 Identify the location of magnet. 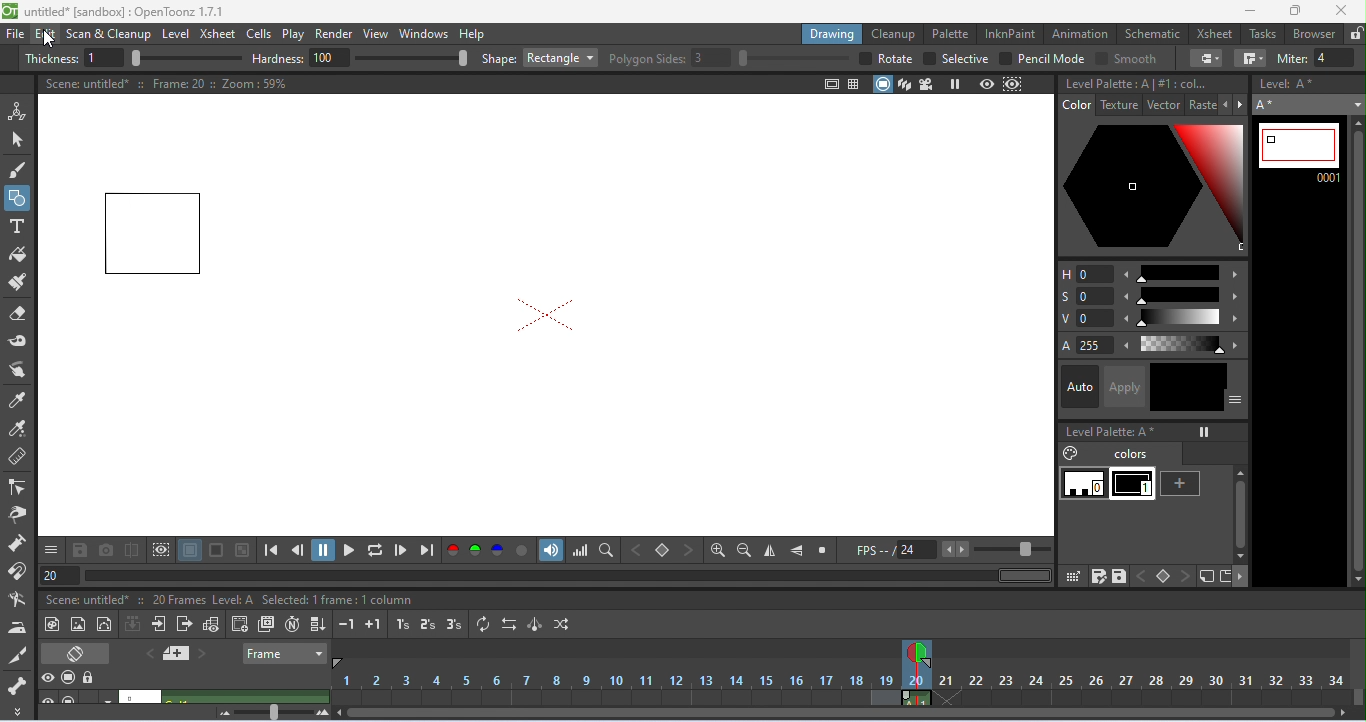
(18, 569).